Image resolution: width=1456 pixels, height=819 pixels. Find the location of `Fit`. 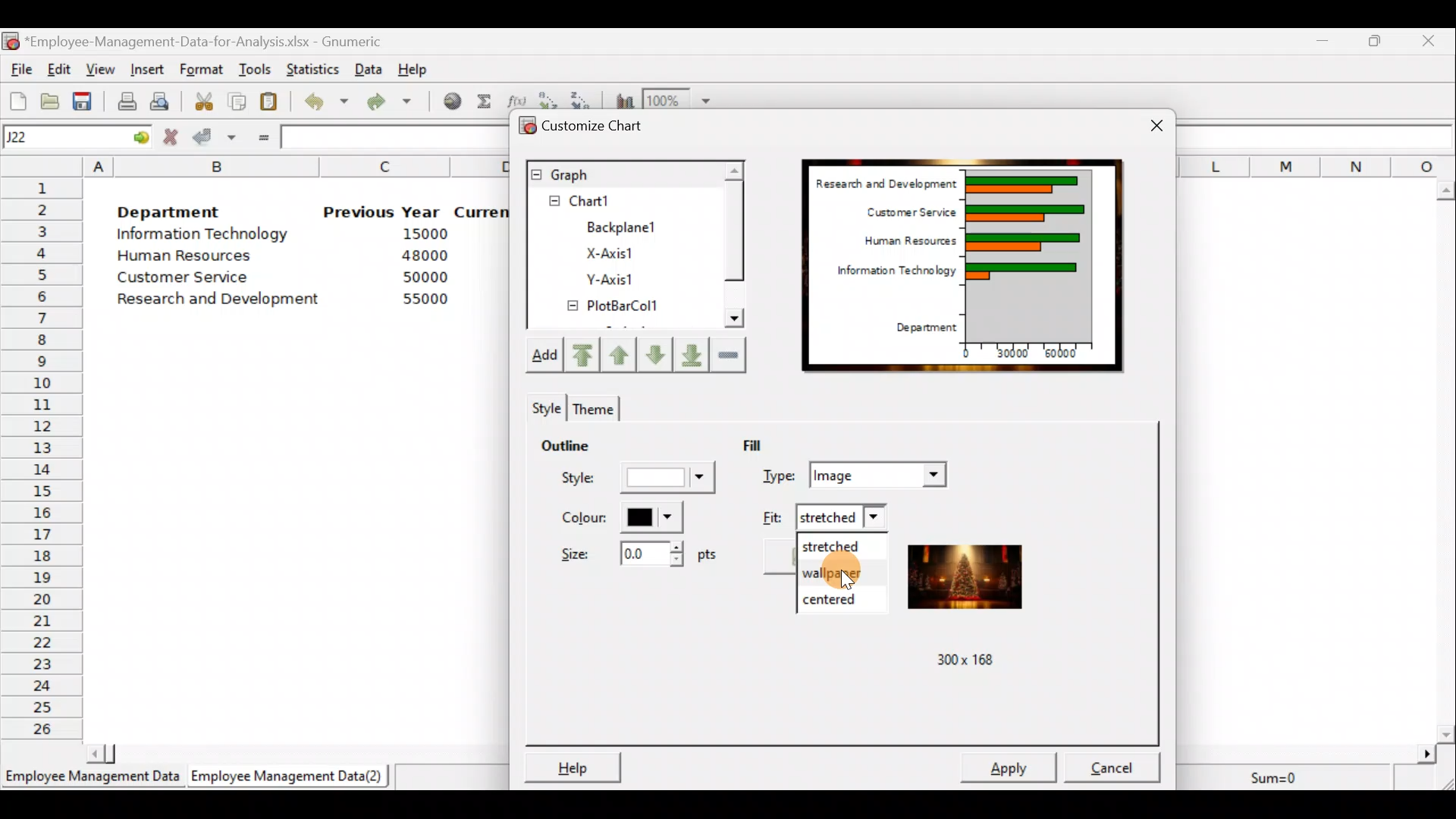

Fit is located at coordinates (824, 516).